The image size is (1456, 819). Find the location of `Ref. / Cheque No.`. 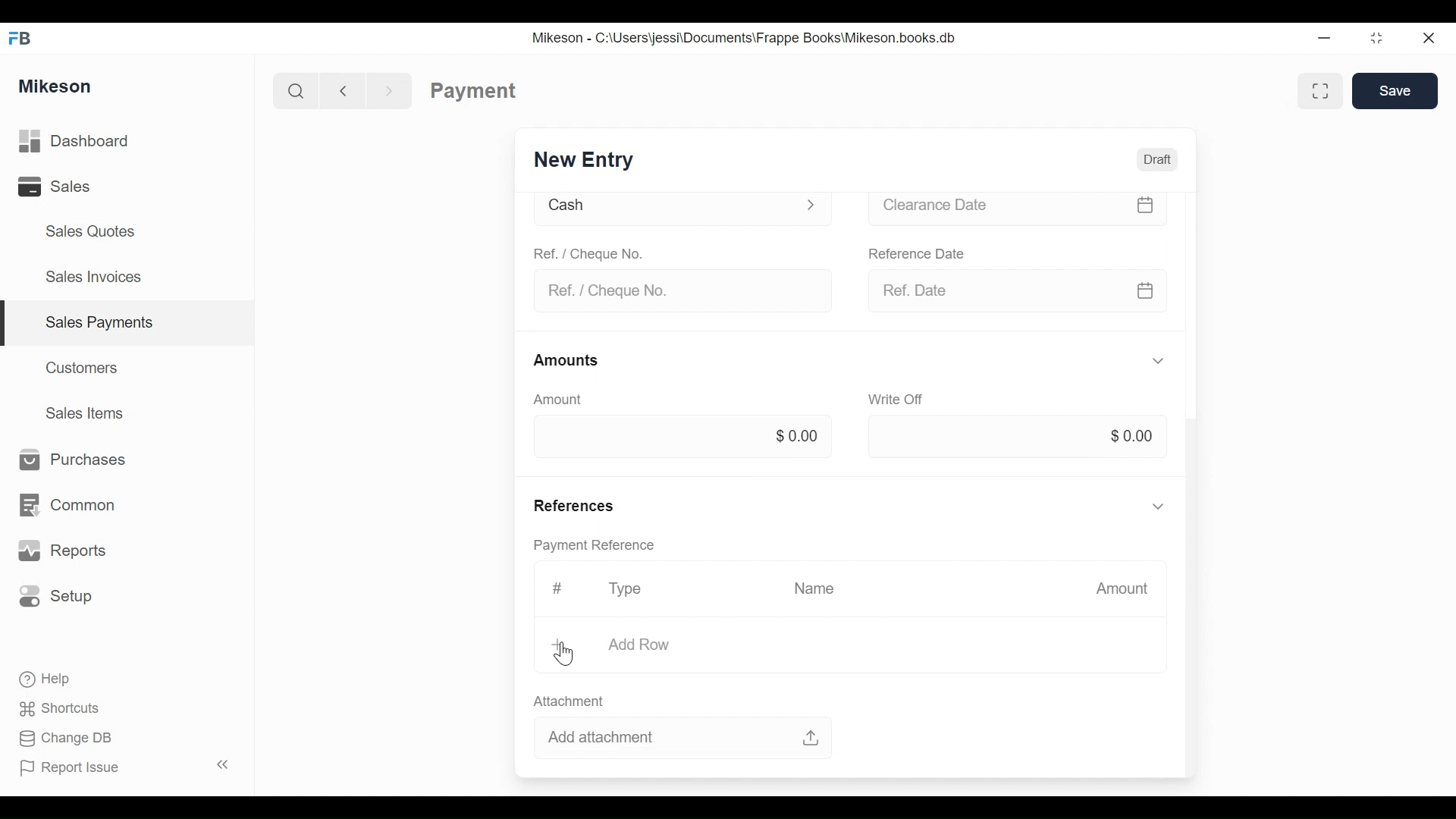

Ref. / Cheque No. is located at coordinates (678, 290).